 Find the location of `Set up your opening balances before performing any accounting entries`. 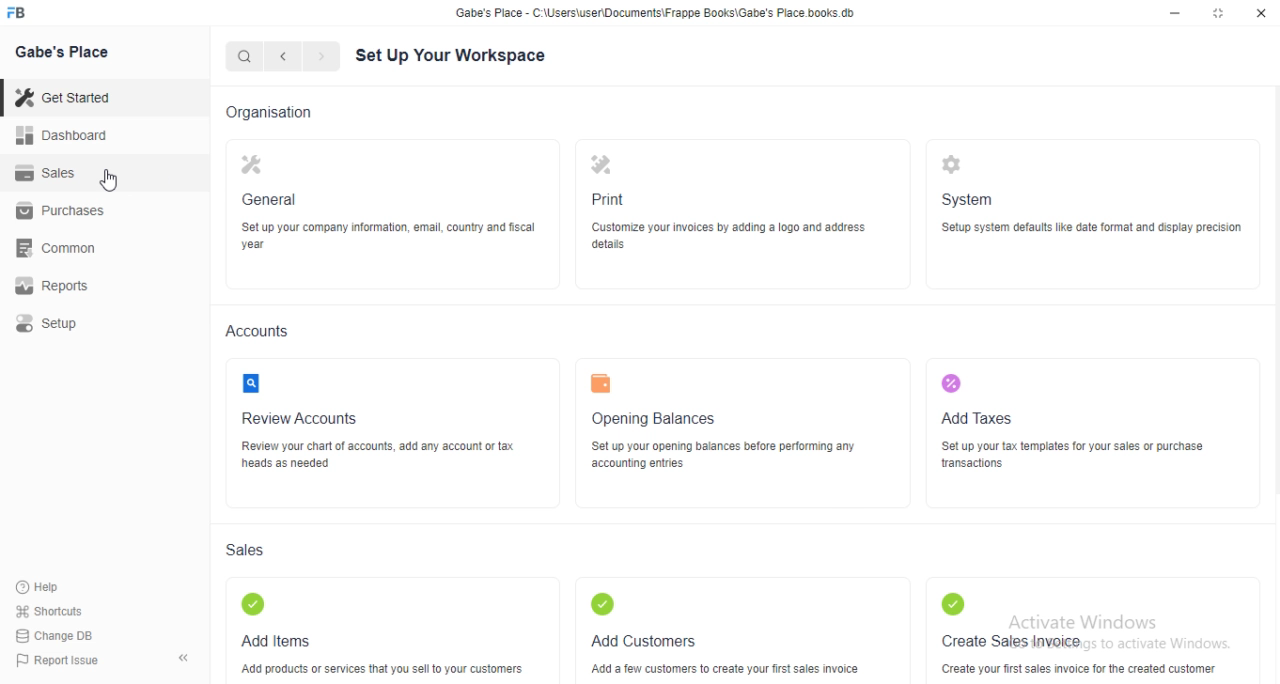

Set up your opening balances before performing any accounting entries is located at coordinates (735, 455).